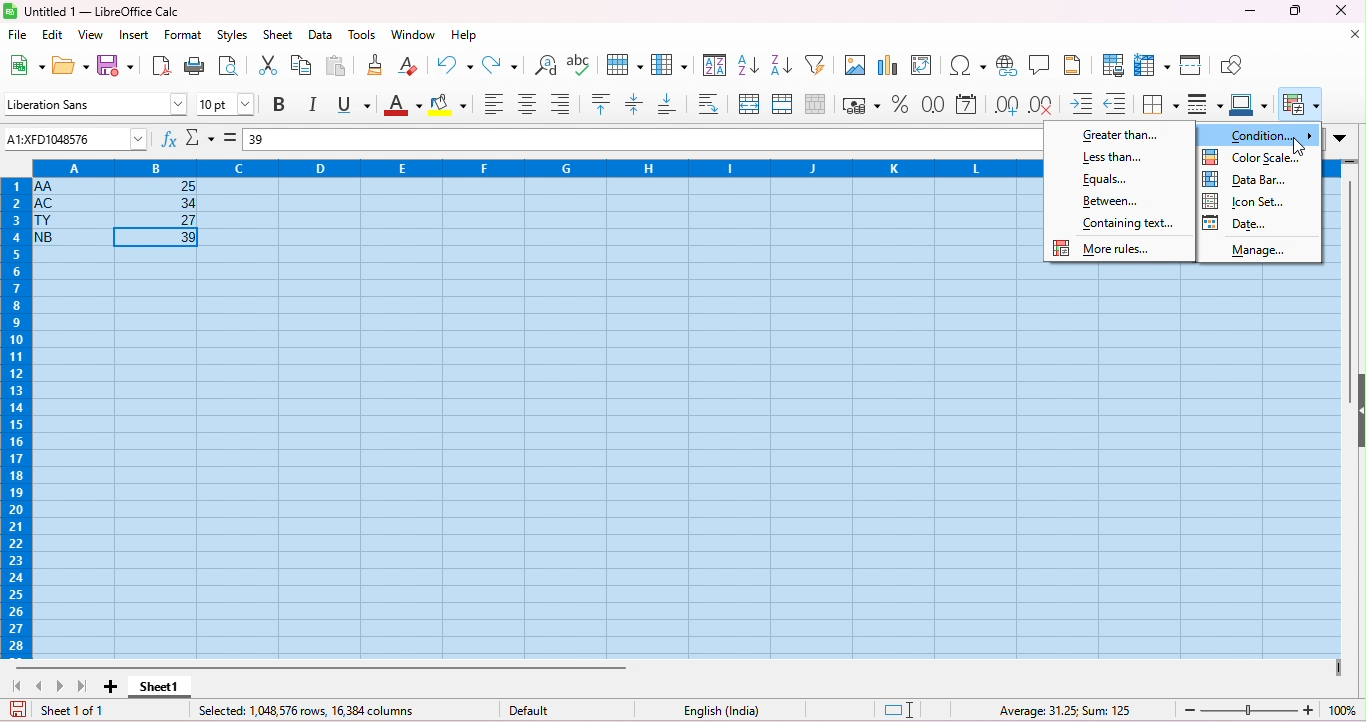  What do you see at coordinates (1354, 35) in the screenshot?
I see `close` at bounding box center [1354, 35].